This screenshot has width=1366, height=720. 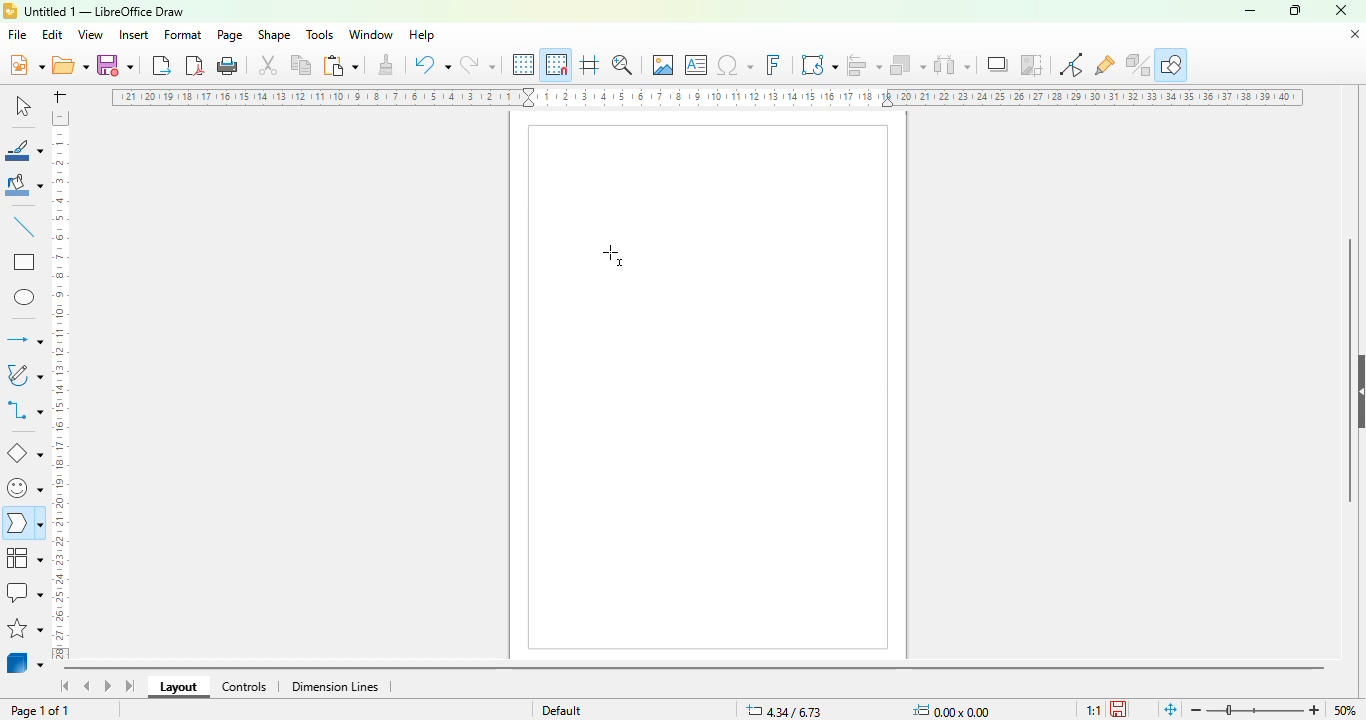 What do you see at coordinates (1071, 64) in the screenshot?
I see `toggle point edit mode` at bounding box center [1071, 64].